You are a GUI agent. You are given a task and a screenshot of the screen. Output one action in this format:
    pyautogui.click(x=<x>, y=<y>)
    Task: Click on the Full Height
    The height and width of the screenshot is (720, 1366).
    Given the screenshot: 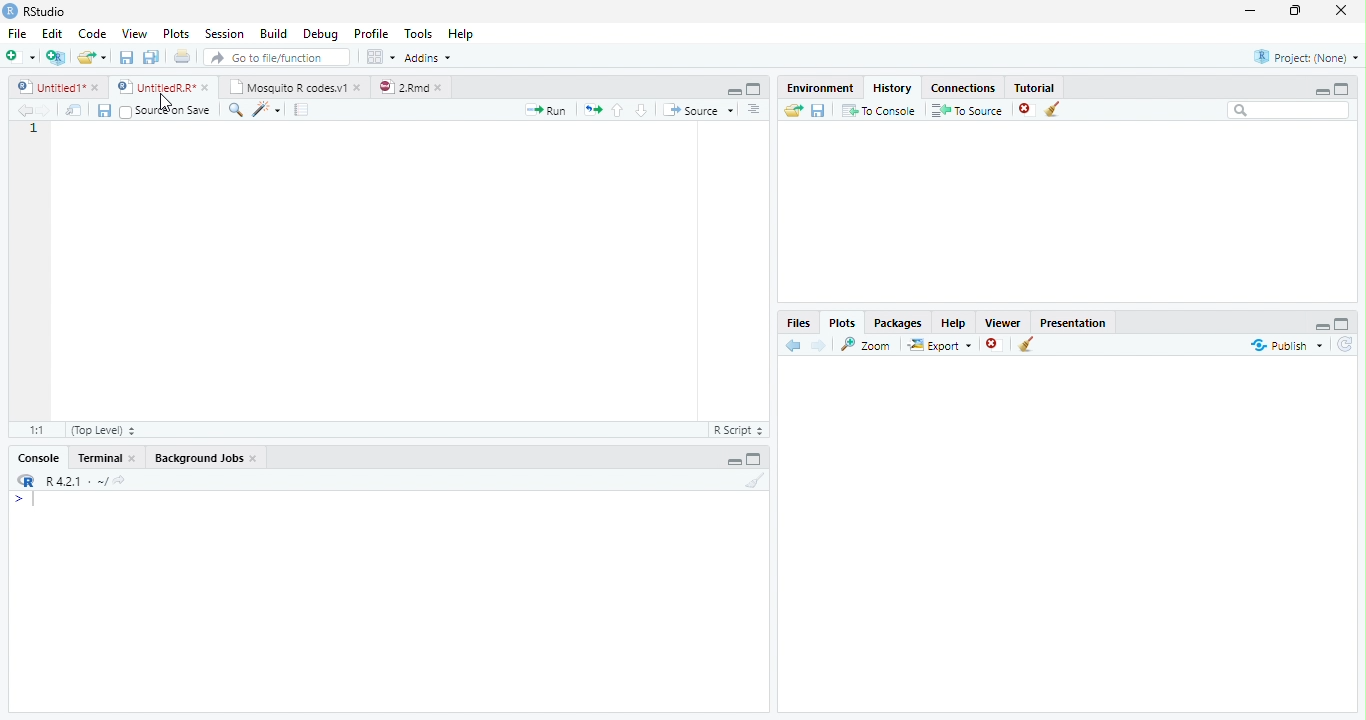 What is the action you would take?
    pyautogui.click(x=1344, y=324)
    